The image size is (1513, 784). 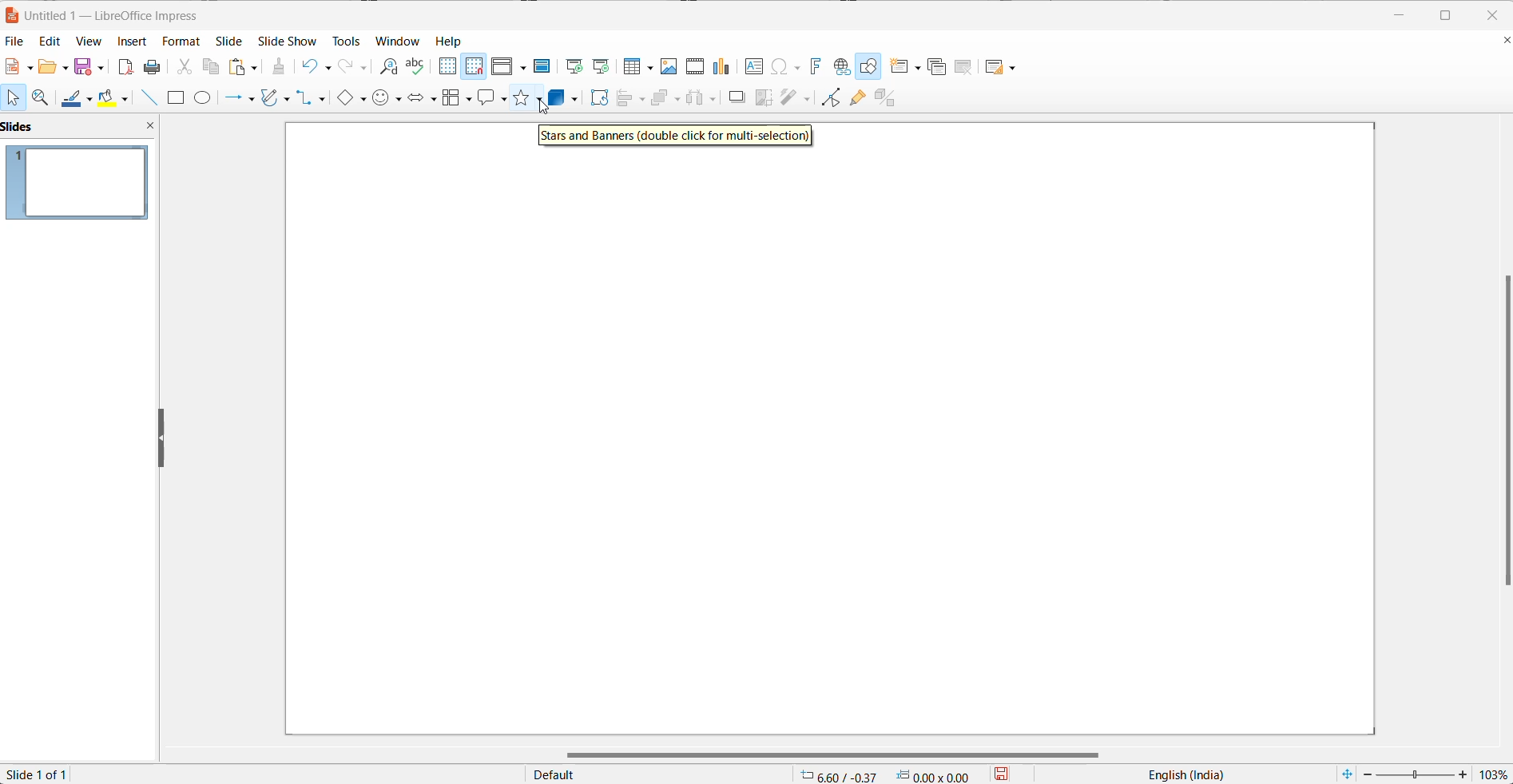 I want to click on master slide, so click(x=542, y=65).